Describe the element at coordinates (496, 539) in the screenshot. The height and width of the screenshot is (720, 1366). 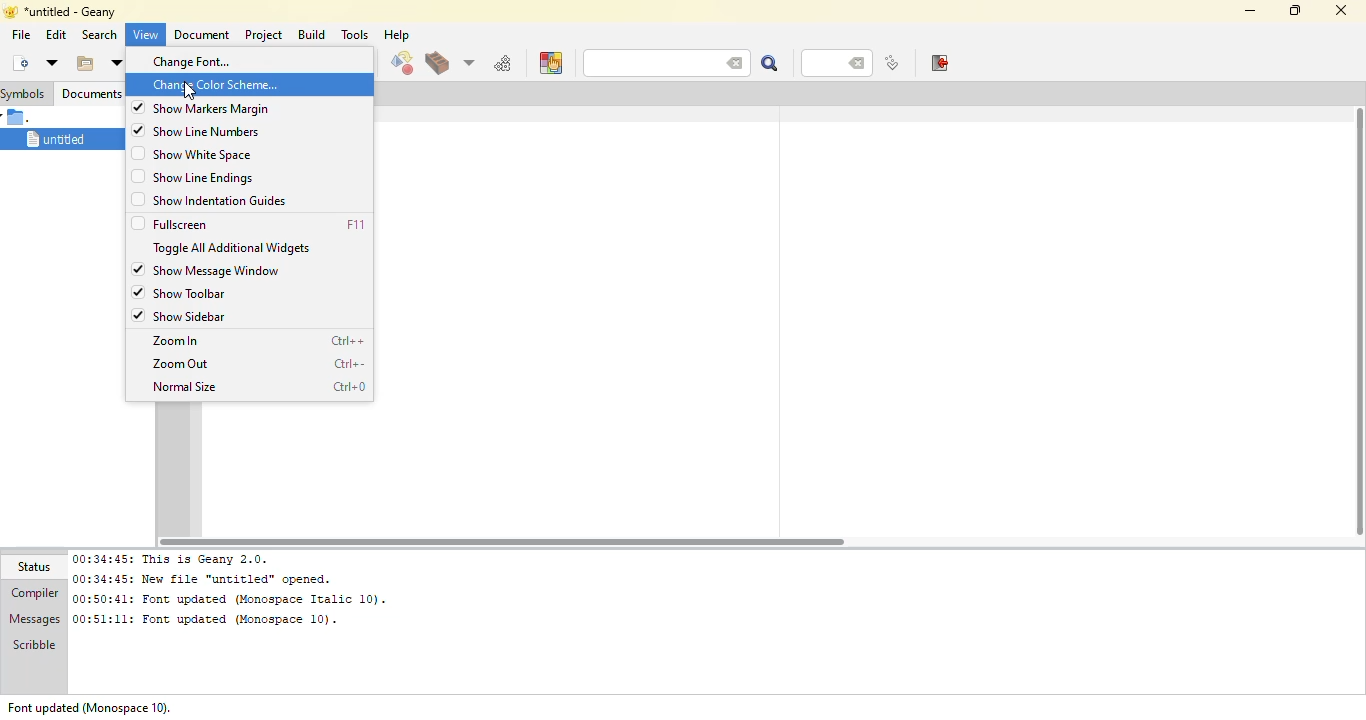
I see `horizontal scroll bar` at that location.